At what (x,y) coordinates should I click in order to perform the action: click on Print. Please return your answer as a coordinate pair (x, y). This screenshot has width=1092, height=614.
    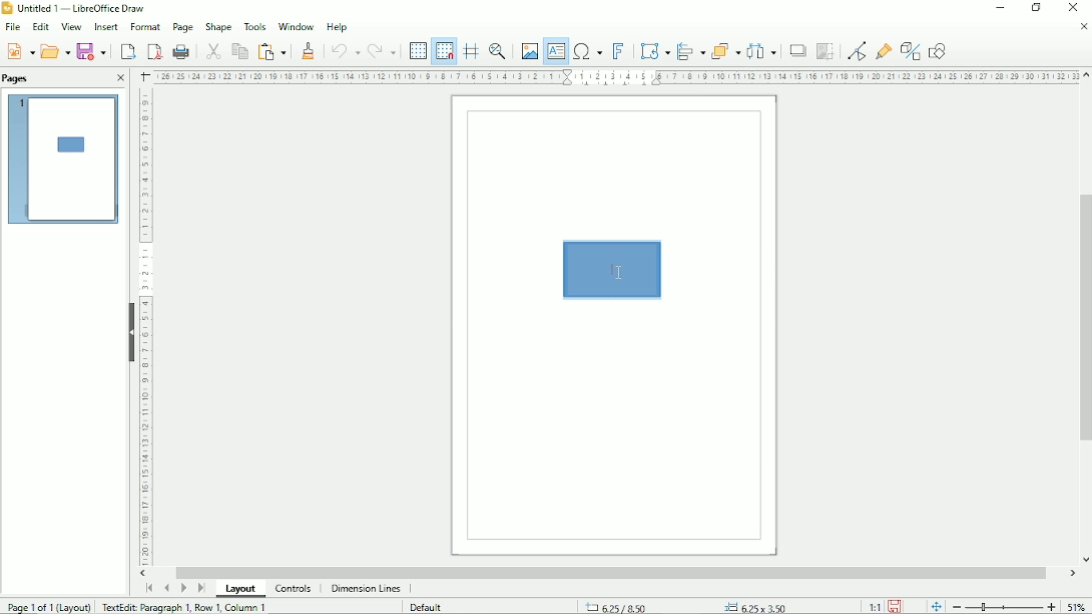
    Looking at the image, I should click on (181, 51).